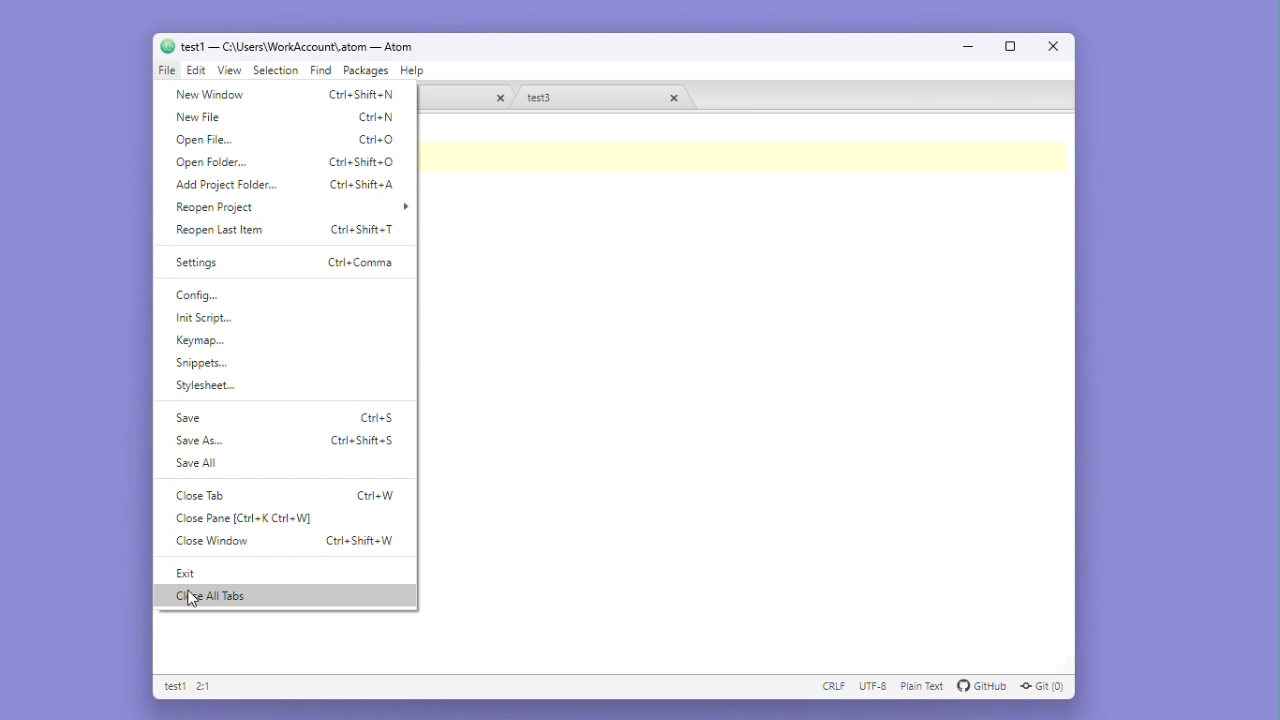 This screenshot has height=720, width=1280. Describe the element at coordinates (1009, 48) in the screenshot. I see `Maximize` at that location.